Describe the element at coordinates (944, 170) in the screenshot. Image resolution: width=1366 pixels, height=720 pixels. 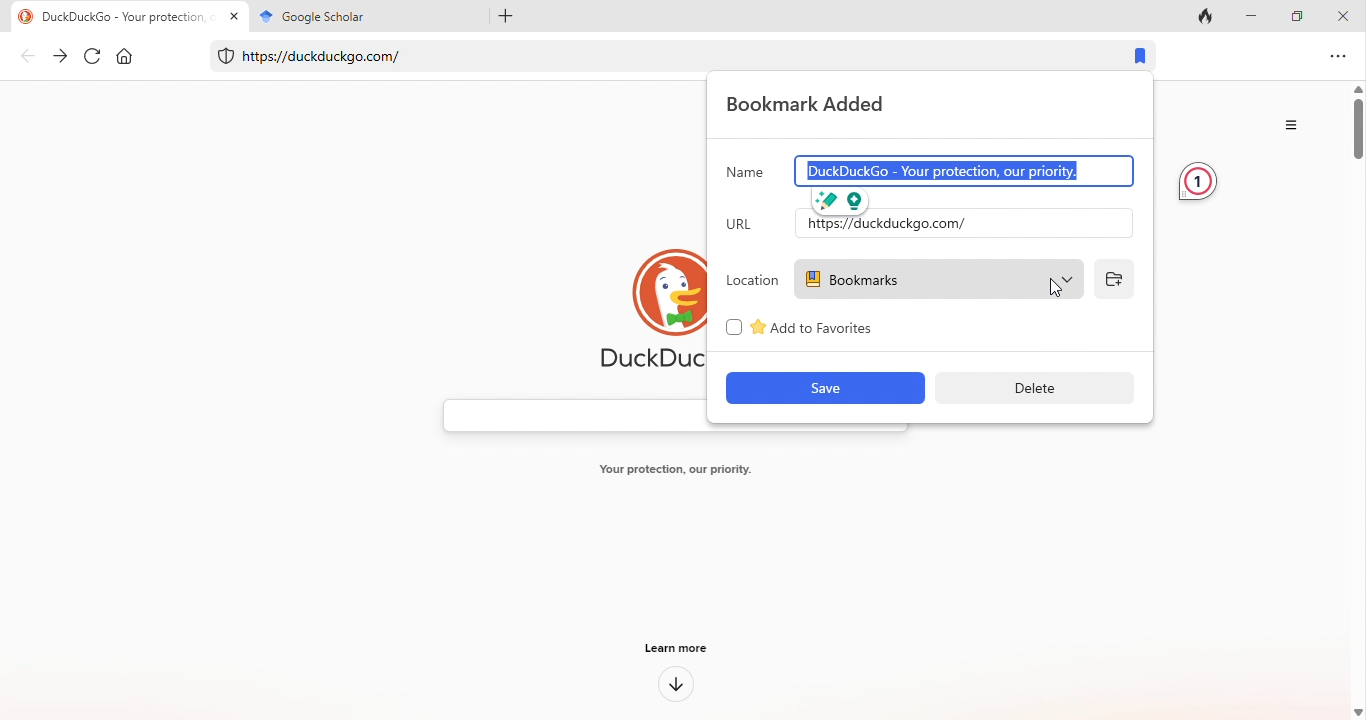
I see `name input` at that location.